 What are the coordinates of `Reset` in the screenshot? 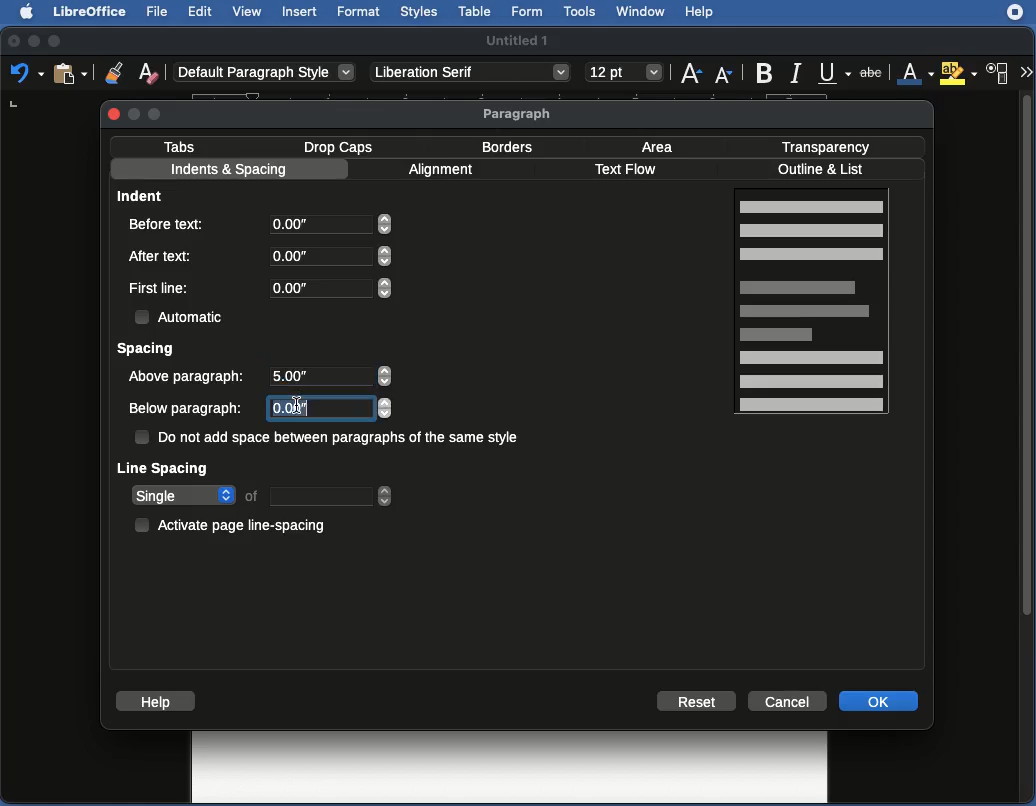 It's located at (697, 701).